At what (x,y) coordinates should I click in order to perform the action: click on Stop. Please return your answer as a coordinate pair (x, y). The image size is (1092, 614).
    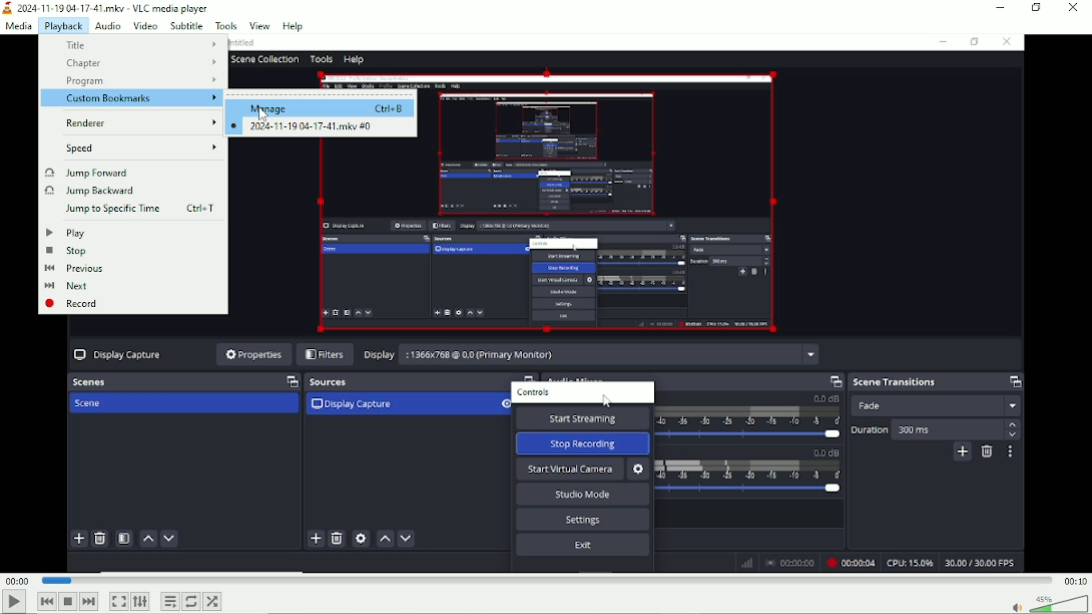
    Looking at the image, I should click on (70, 251).